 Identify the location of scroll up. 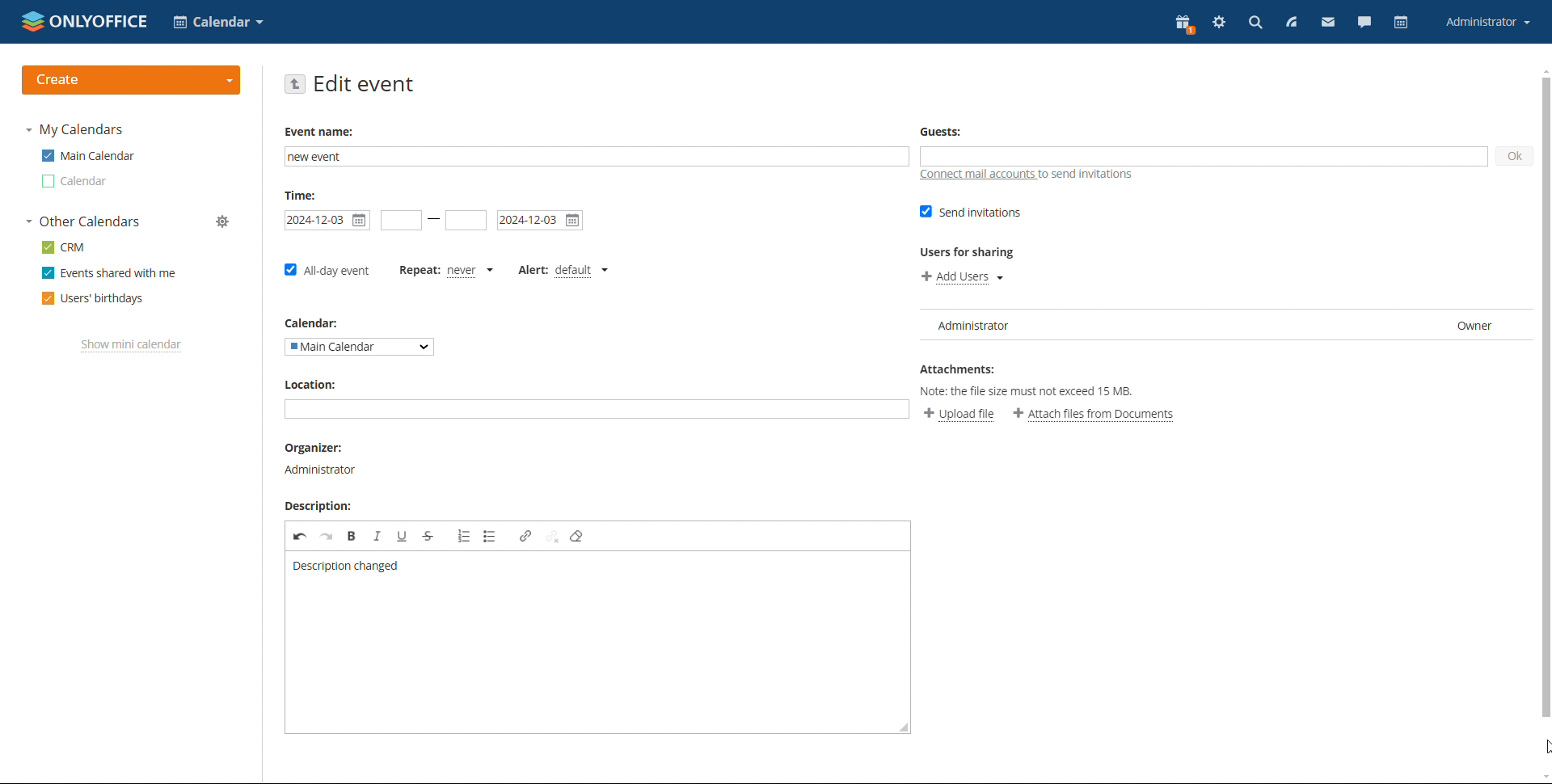
(1542, 72).